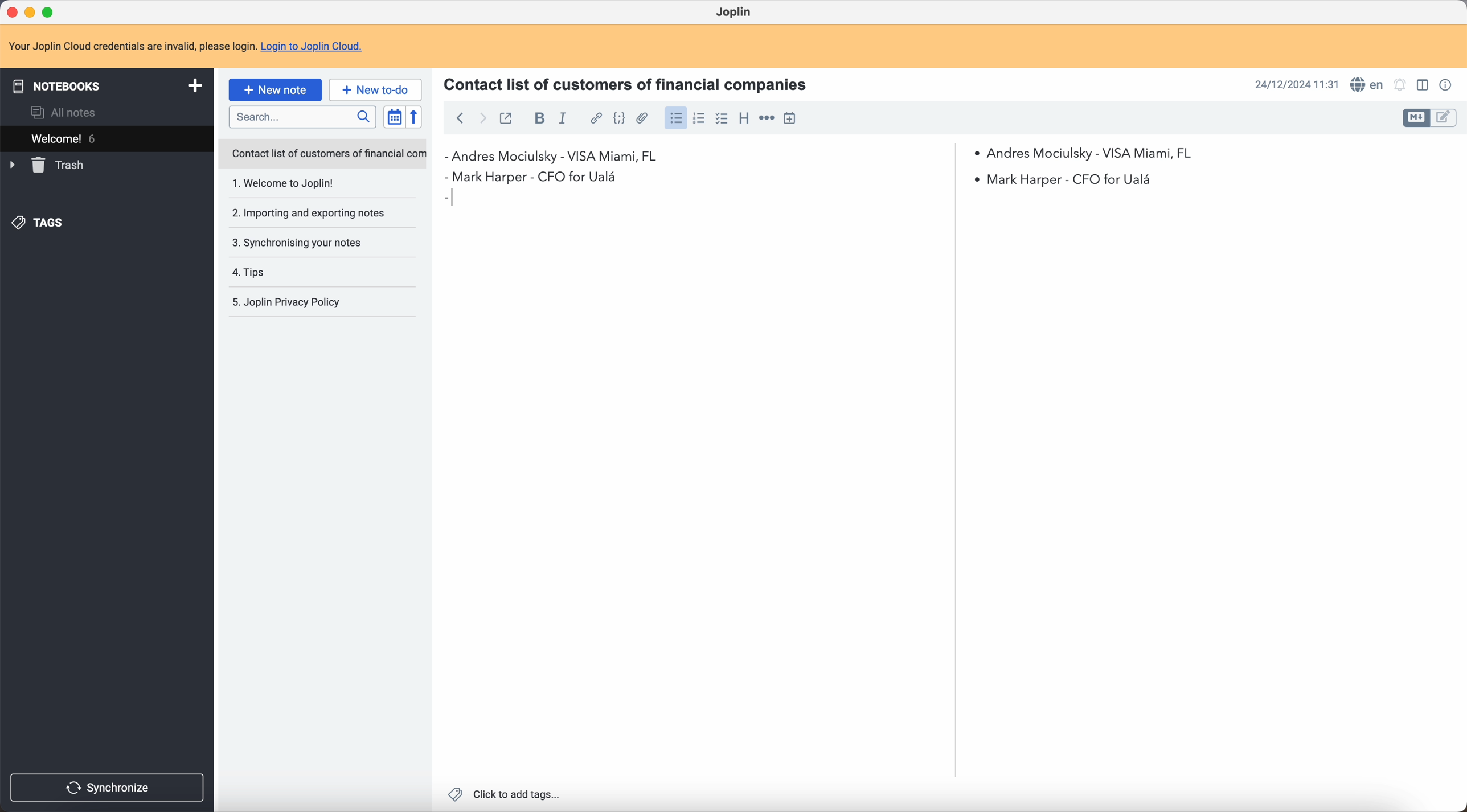  Describe the element at coordinates (64, 111) in the screenshot. I see `all notes` at that location.